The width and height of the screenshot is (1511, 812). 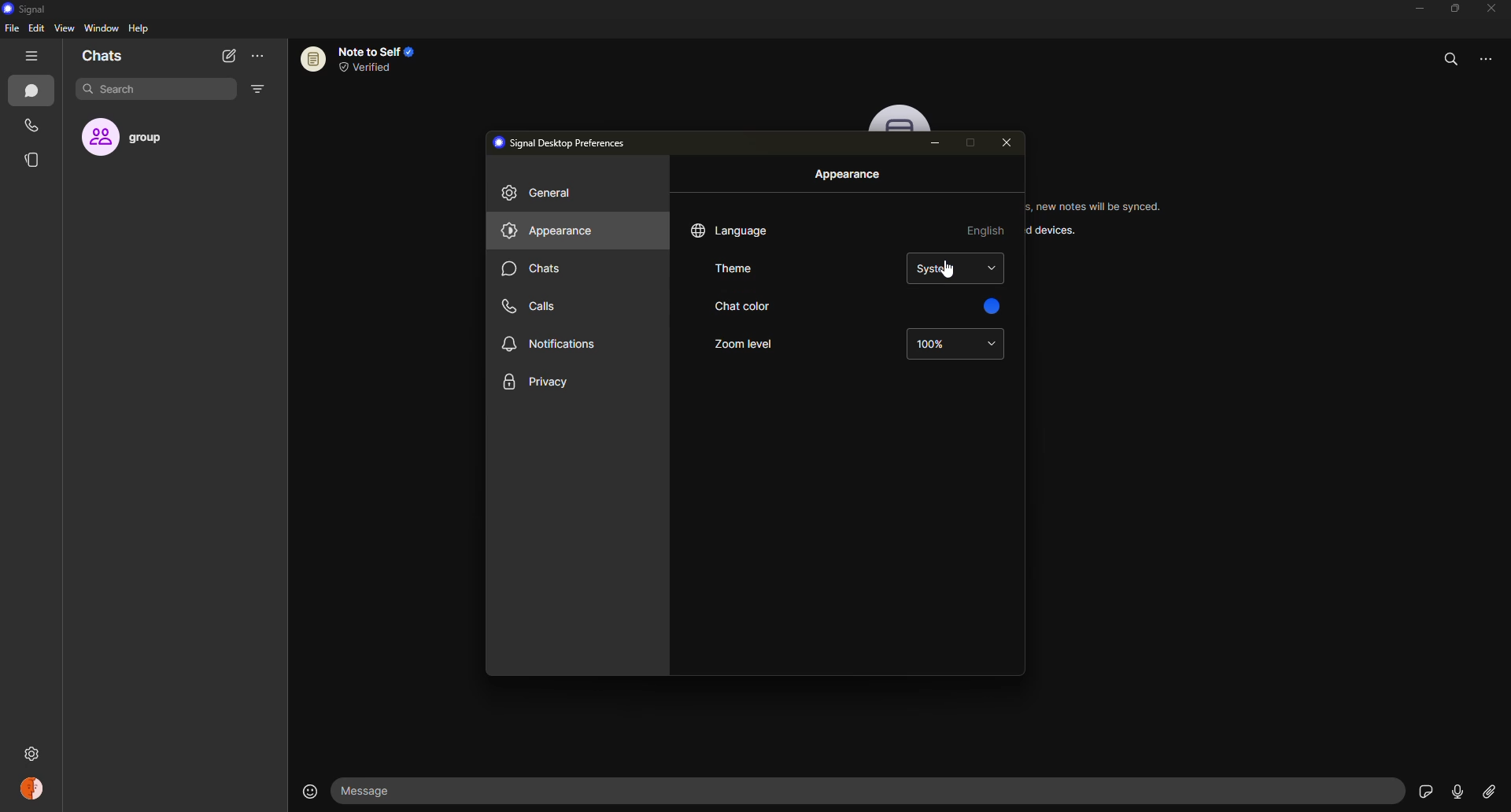 I want to click on view, so click(x=64, y=28).